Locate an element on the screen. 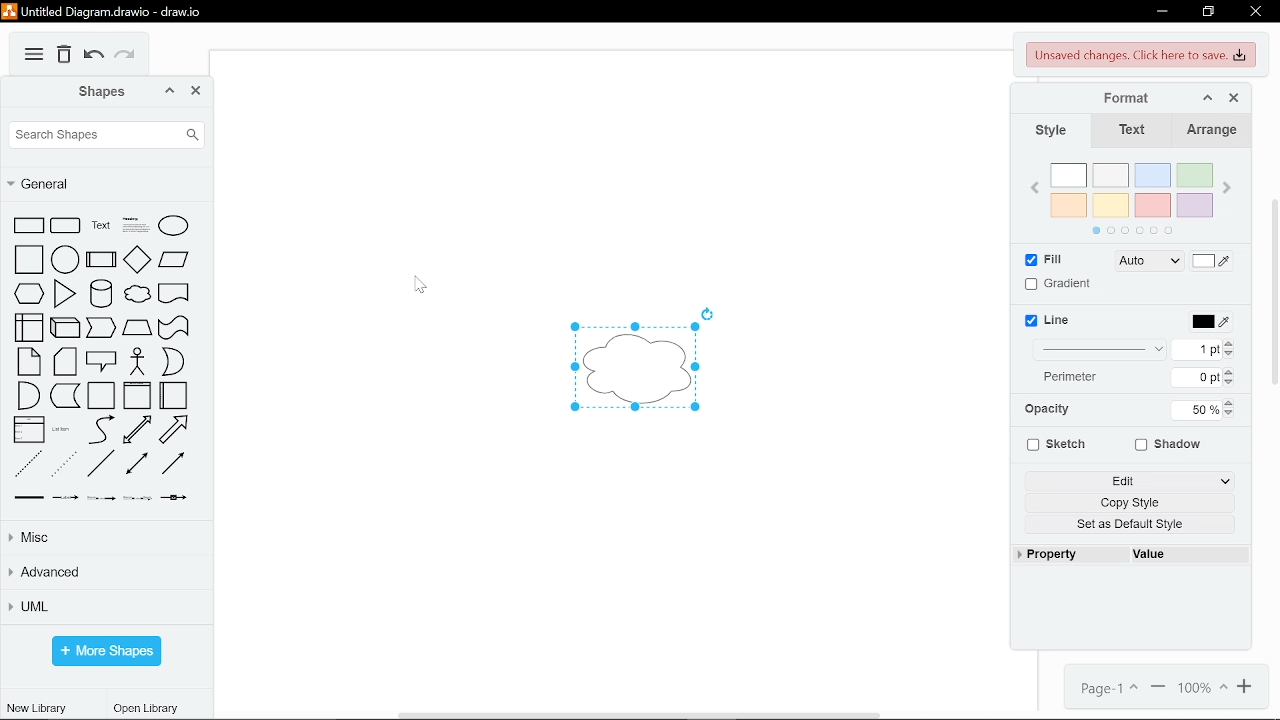 This screenshot has width=1280, height=720. text is located at coordinates (1134, 132).